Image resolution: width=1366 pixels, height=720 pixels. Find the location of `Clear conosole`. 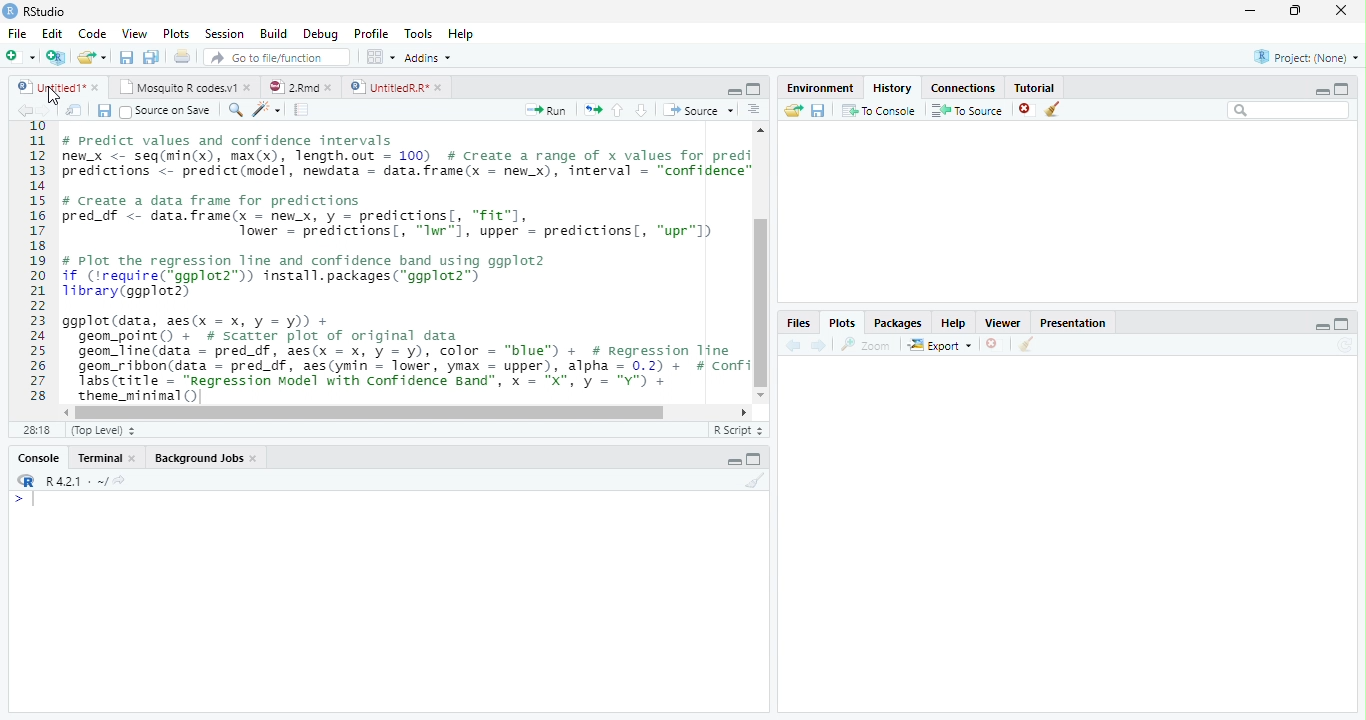

Clear conosole is located at coordinates (1029, 344).